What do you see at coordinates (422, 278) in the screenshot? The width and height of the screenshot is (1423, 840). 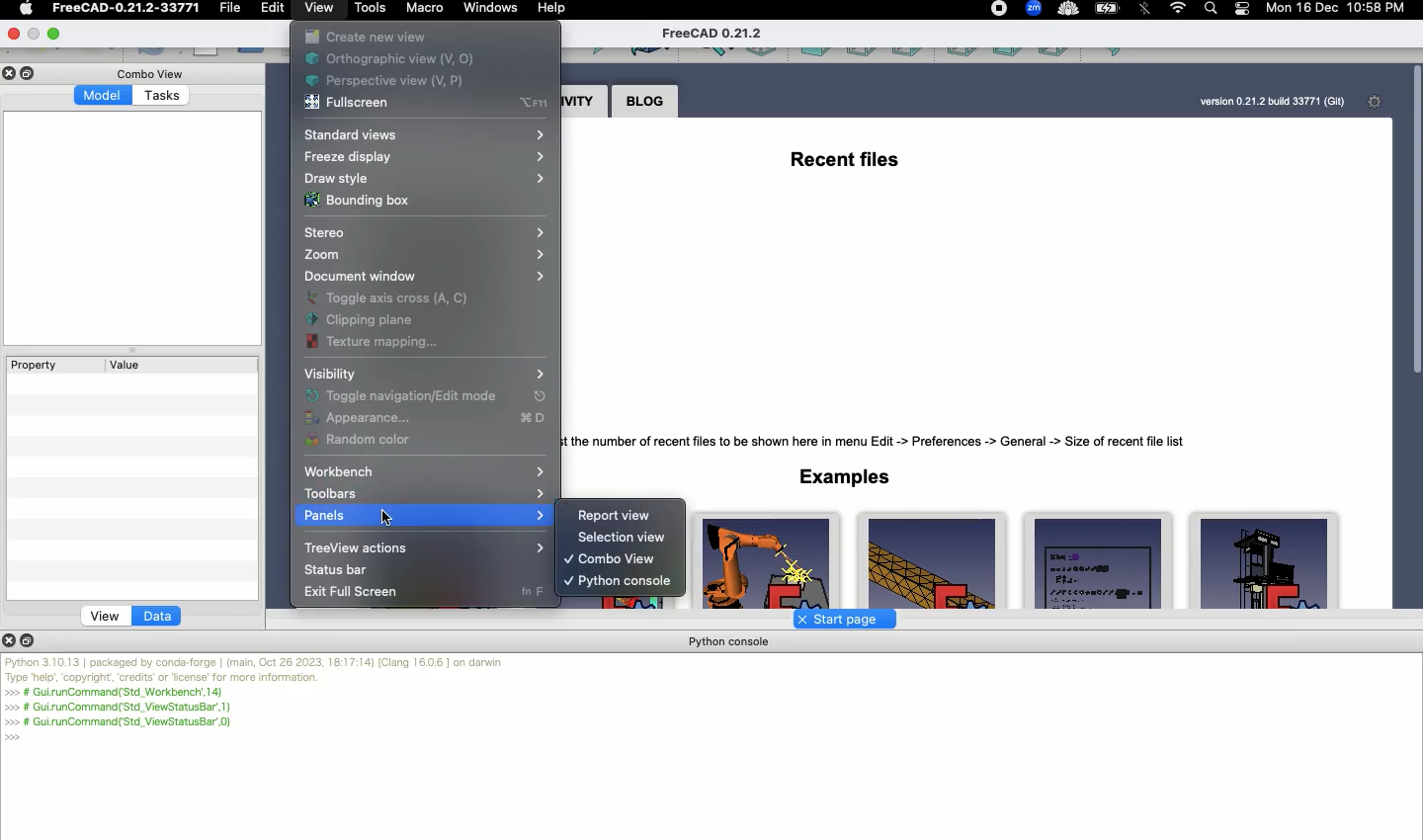 I see `Document window` at bounding box center [422, 278].